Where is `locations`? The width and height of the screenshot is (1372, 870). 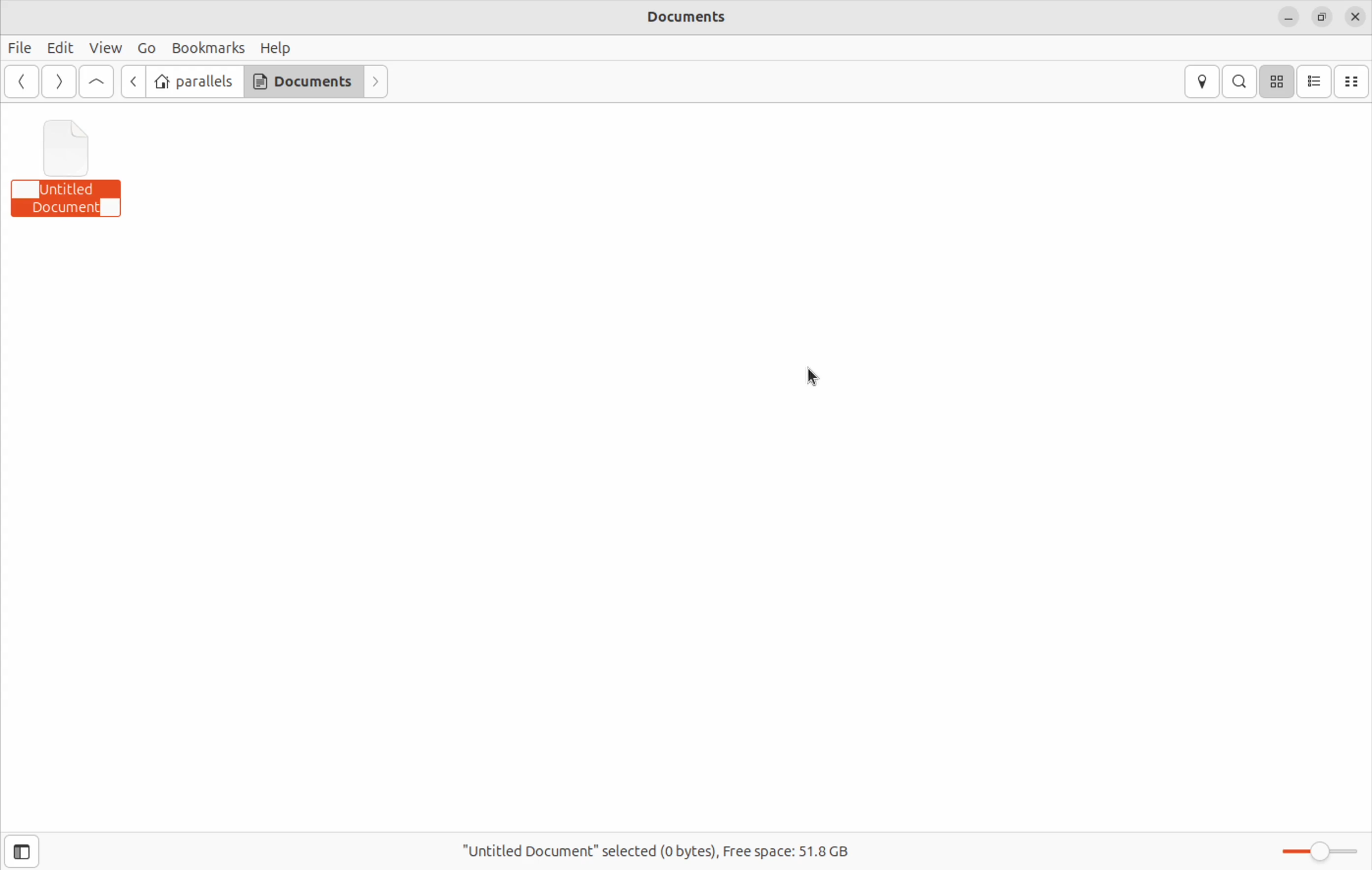 locations is located at coordinates (1205, 82).